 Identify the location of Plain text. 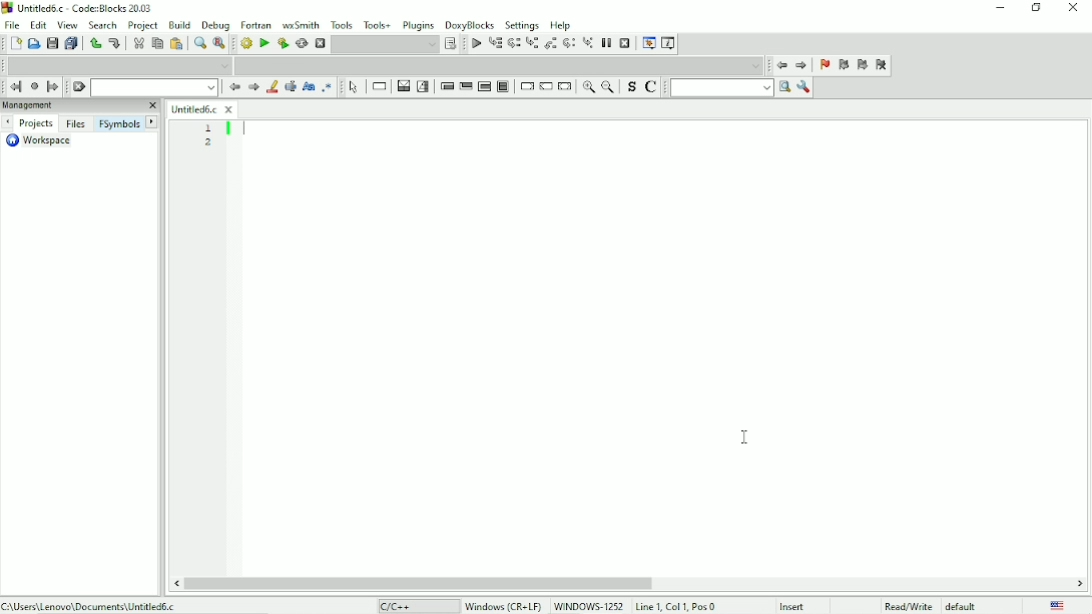
(403, 606).